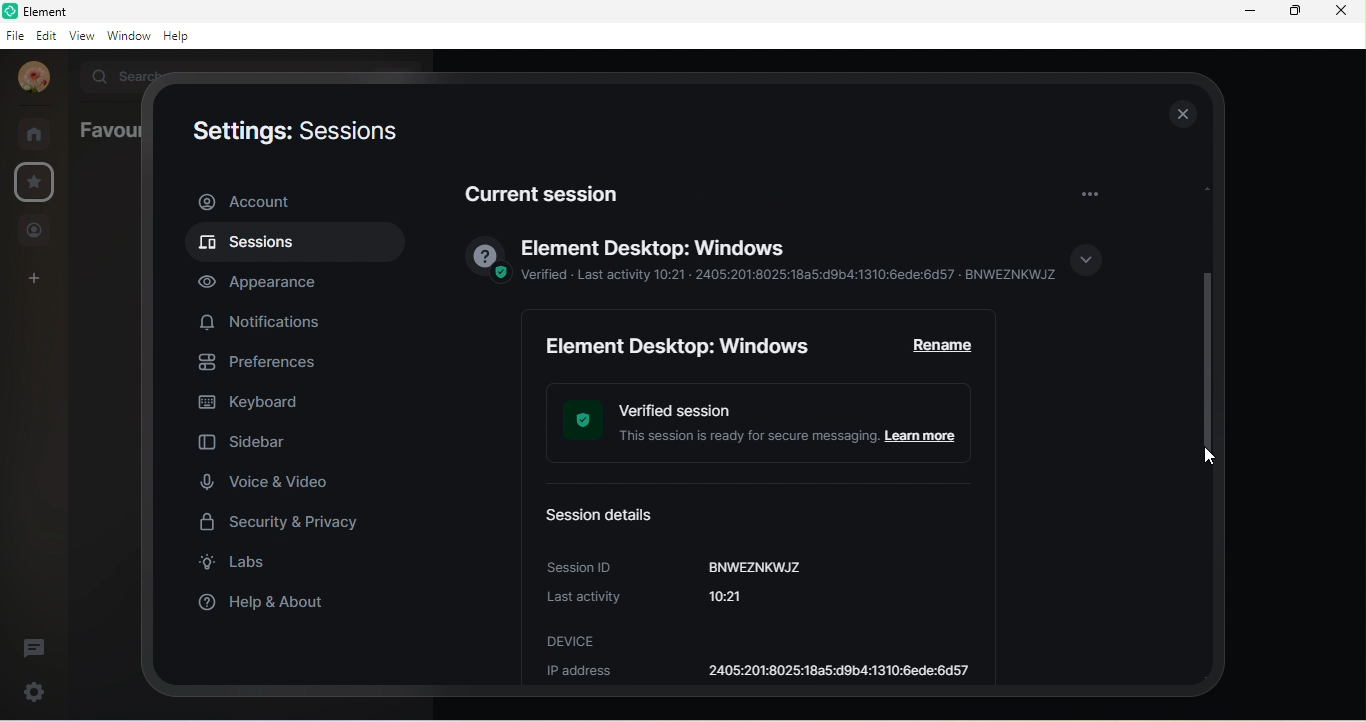 The height and width of the screenshot is (722, 1366). What do you see at coordinates (10, 11) in the screenshot?
I see `element logo` at bounding box center [10, 11].